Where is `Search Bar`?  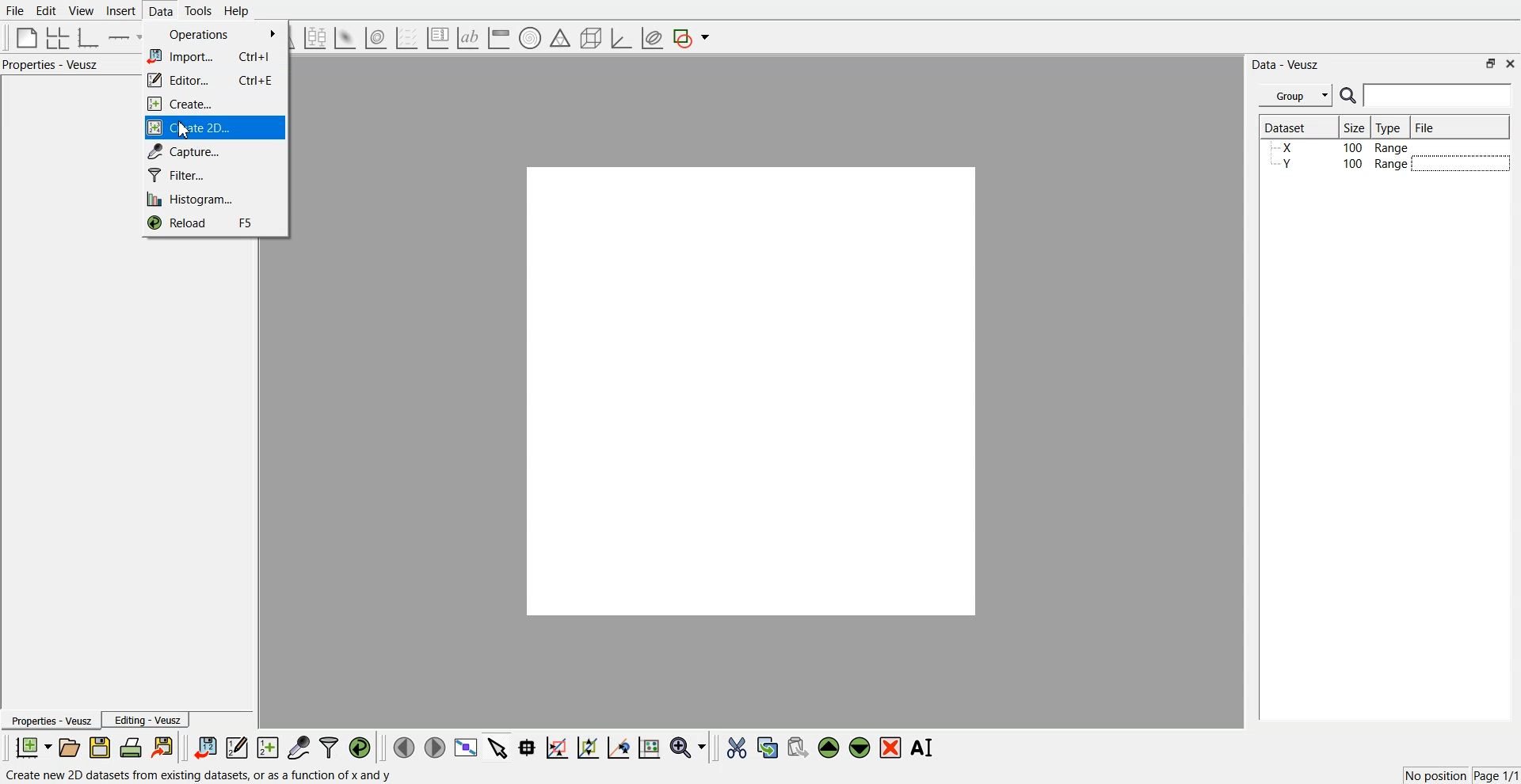
Search Bar is located at coordinates (1427, 95).